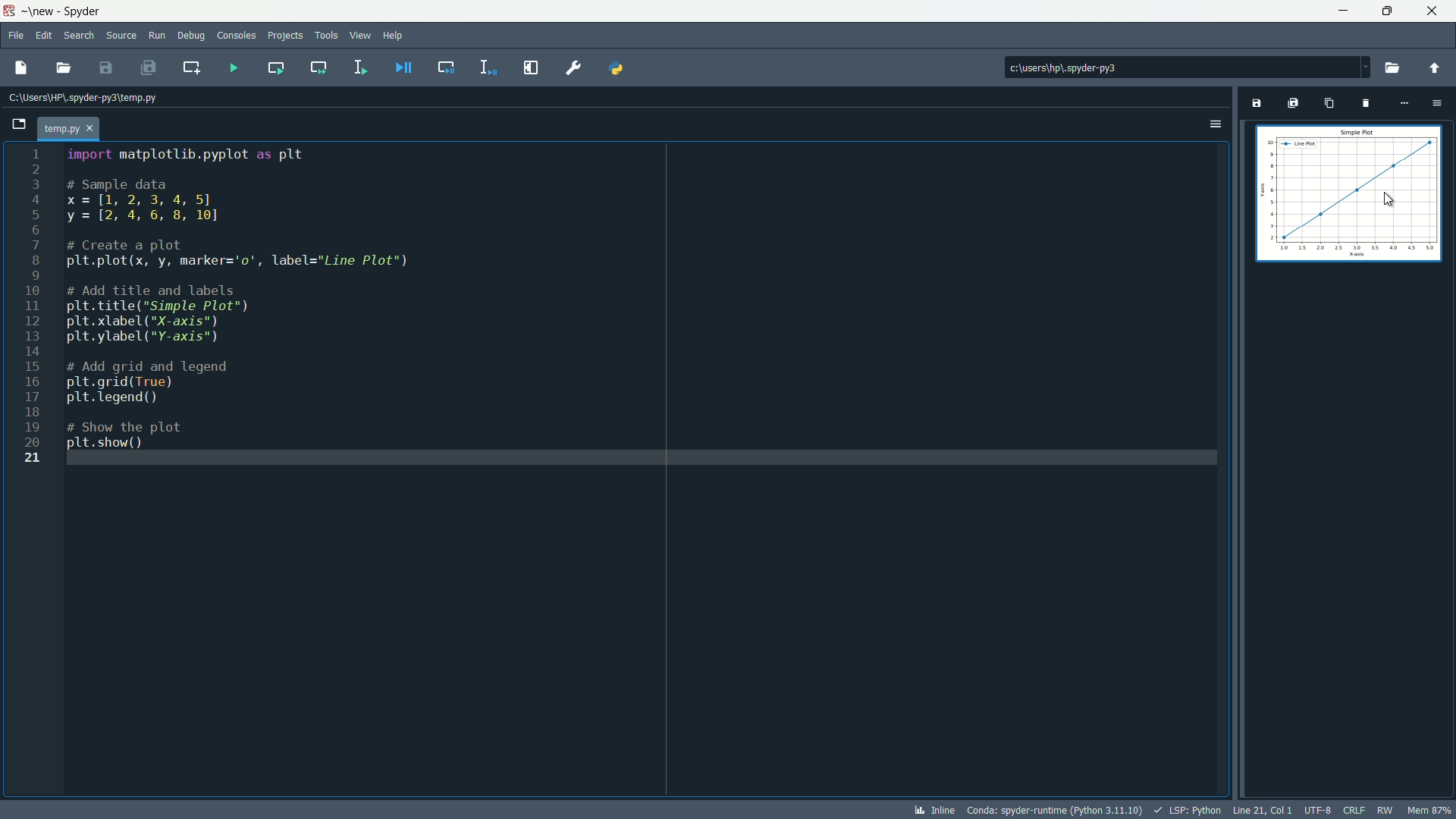 This screenshot has height=819, width=1456. What do you see at coordinates (83, 10) in the screenshot?
I see `app name` at bounding box center [83, 10].